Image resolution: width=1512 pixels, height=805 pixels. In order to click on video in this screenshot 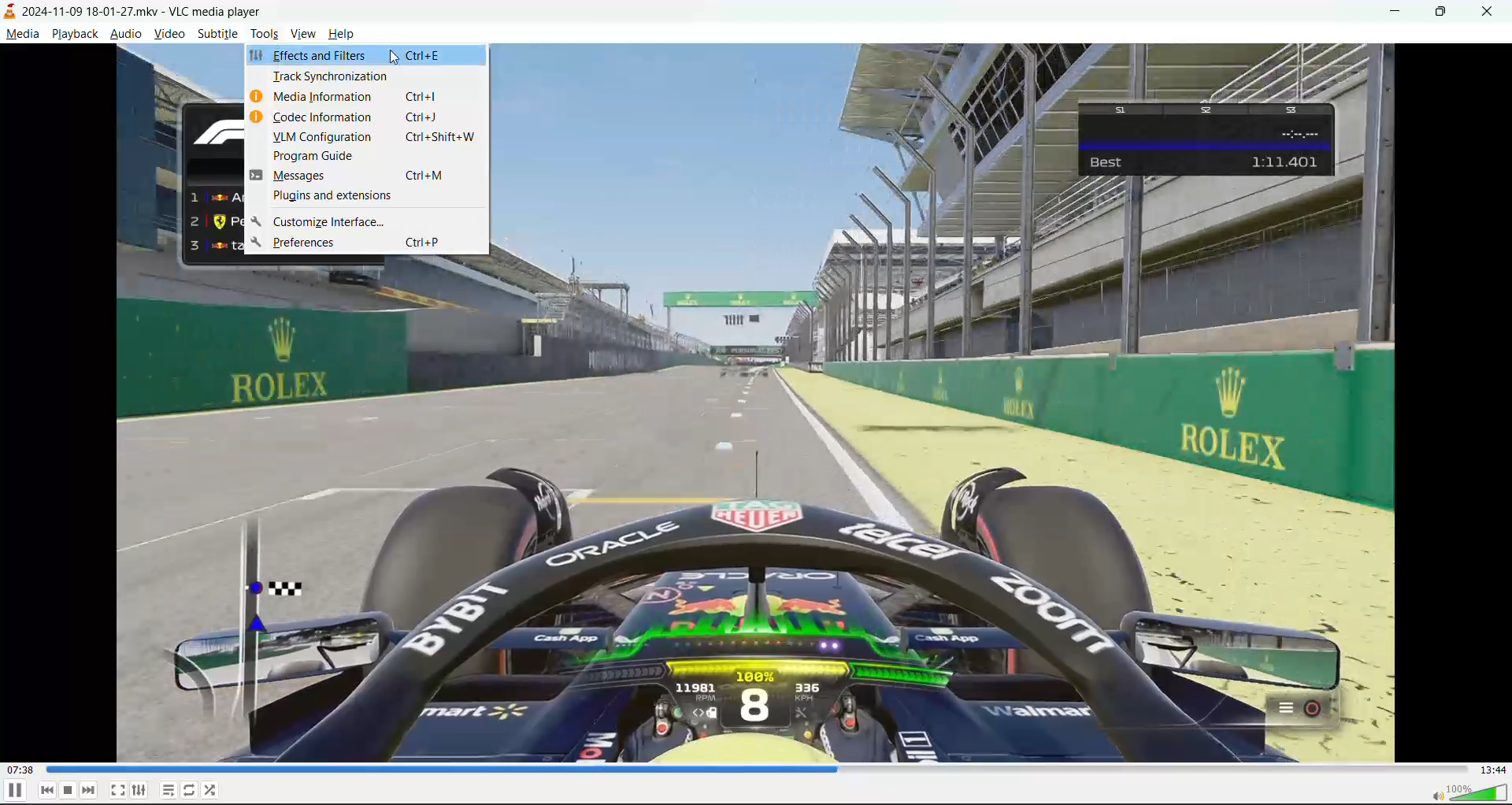, I will do `click(169, 34)`.